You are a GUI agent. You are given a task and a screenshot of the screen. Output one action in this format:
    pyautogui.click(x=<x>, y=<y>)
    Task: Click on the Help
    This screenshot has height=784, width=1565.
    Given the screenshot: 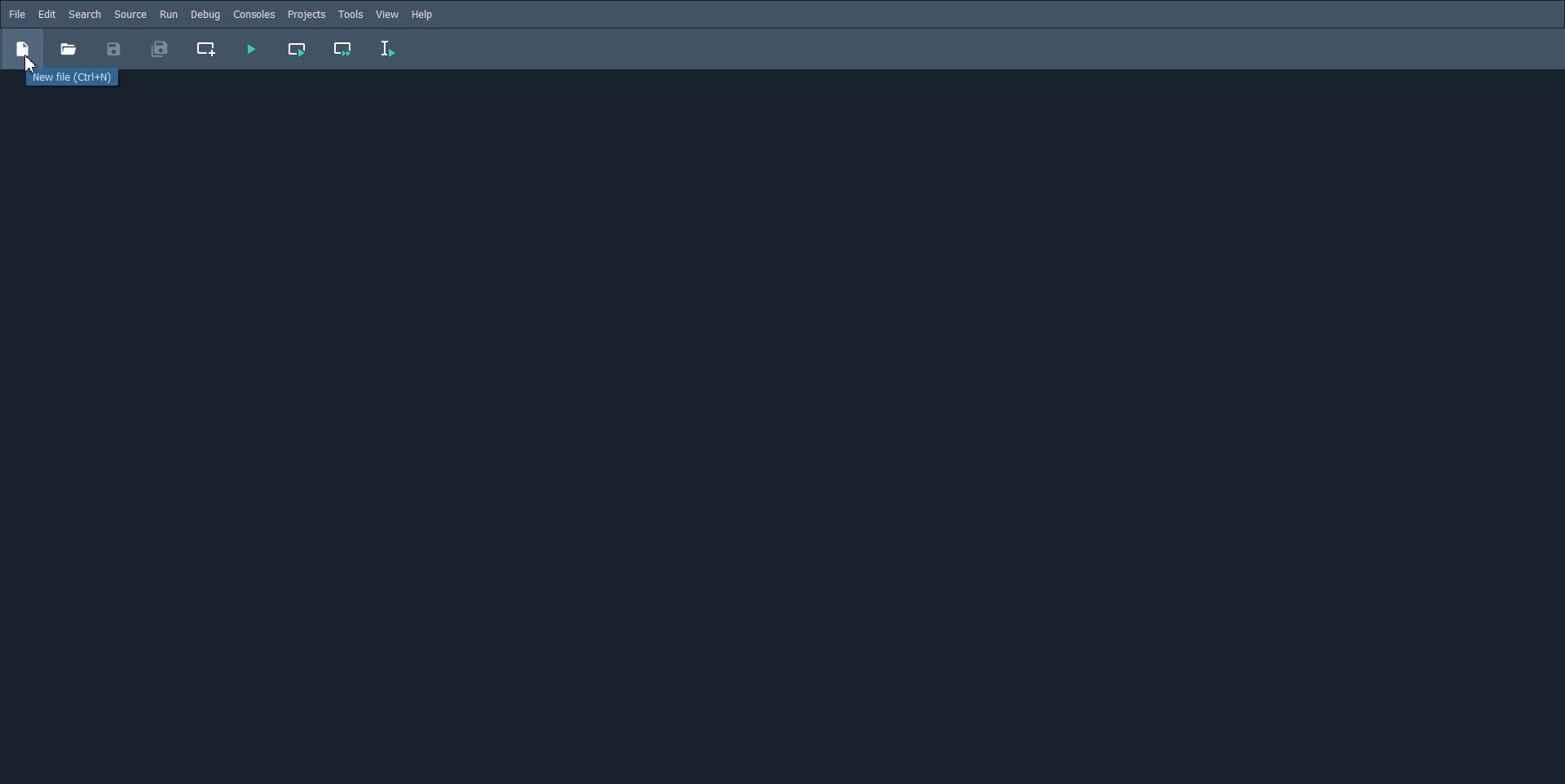 What is the action you would take?
    pyautogui.click(x=424, y=15)
    